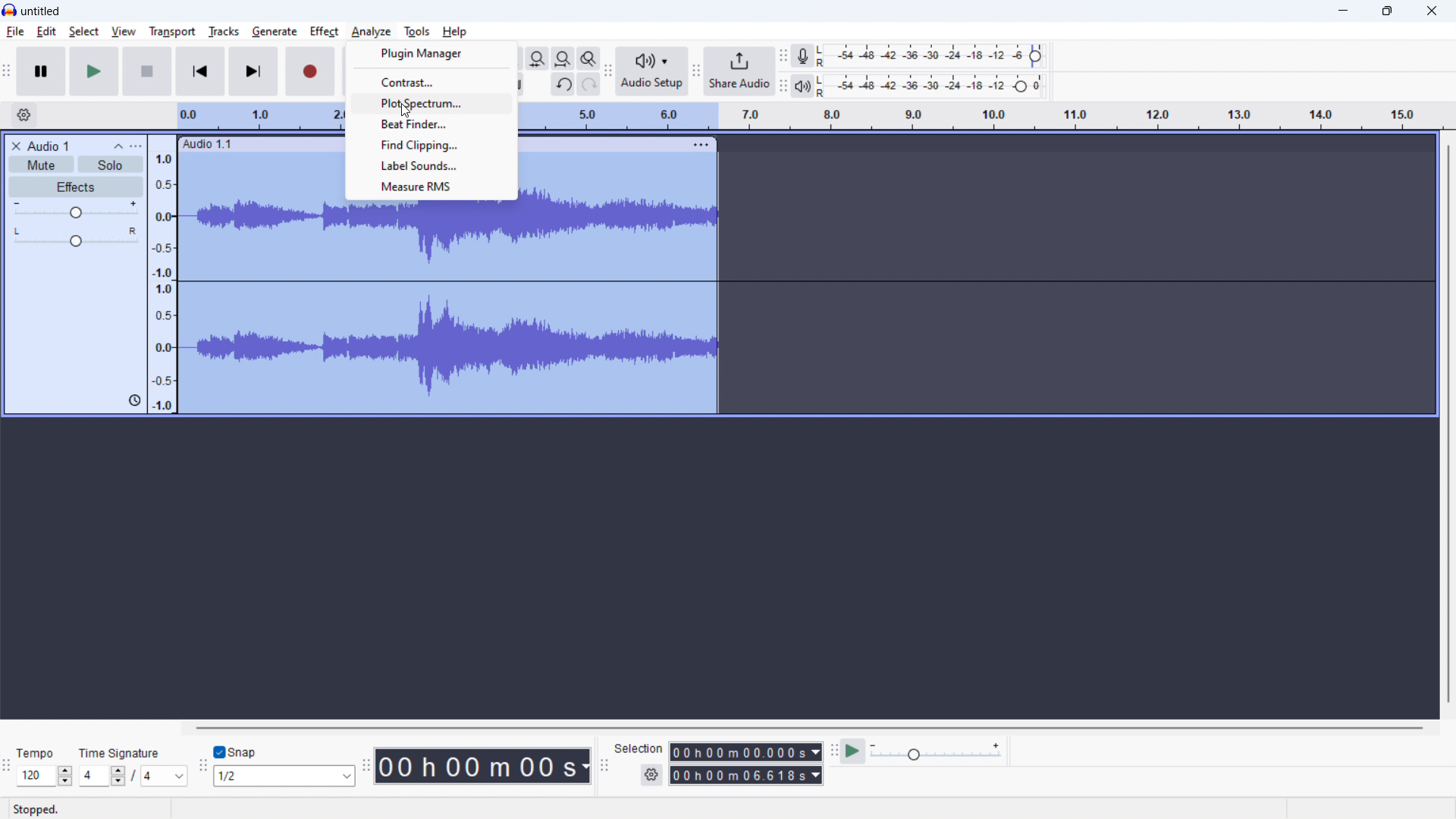  I want to click on redo, so click(563, 83).